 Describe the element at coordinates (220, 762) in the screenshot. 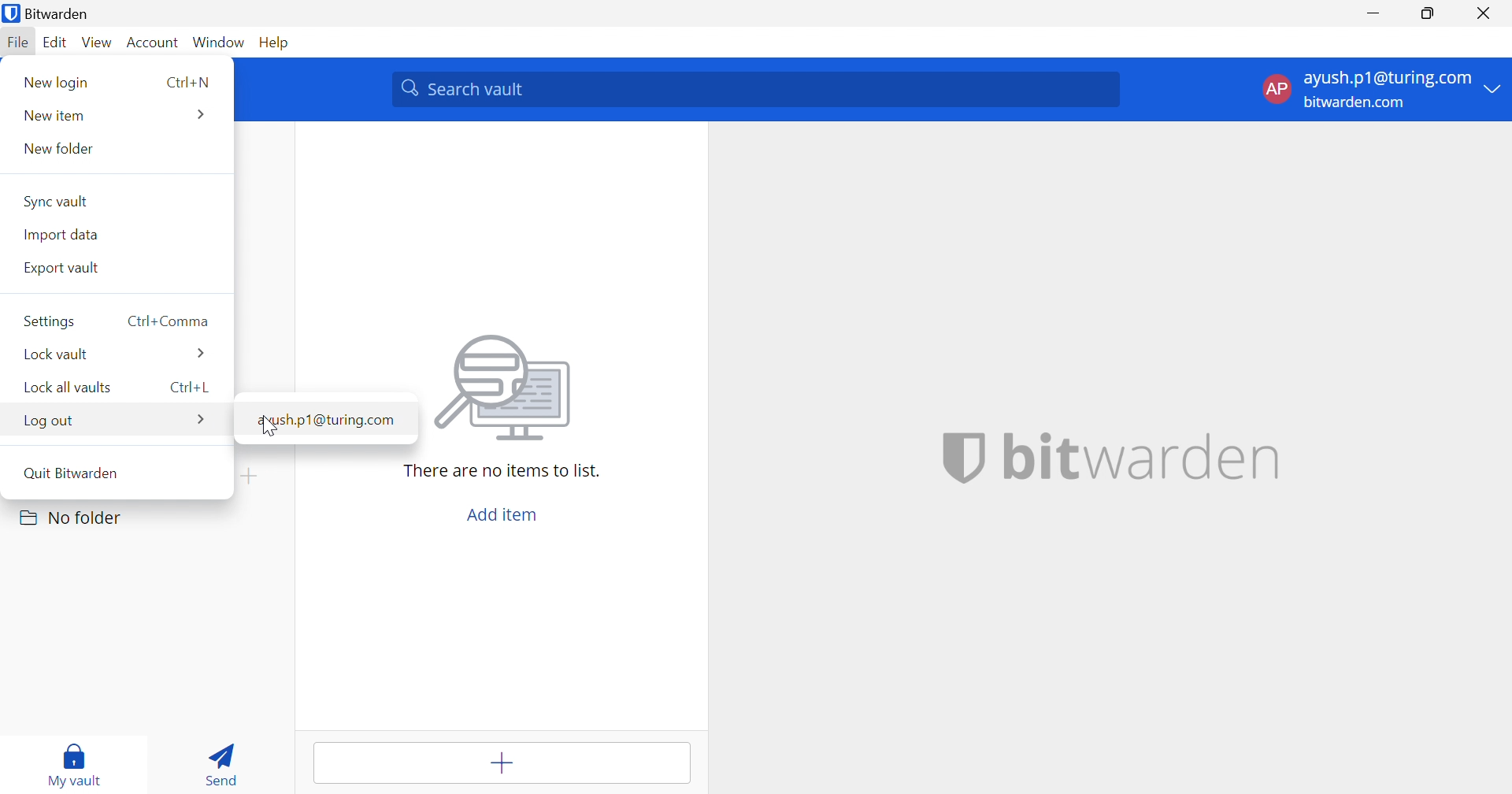

I see `Send` at that location.